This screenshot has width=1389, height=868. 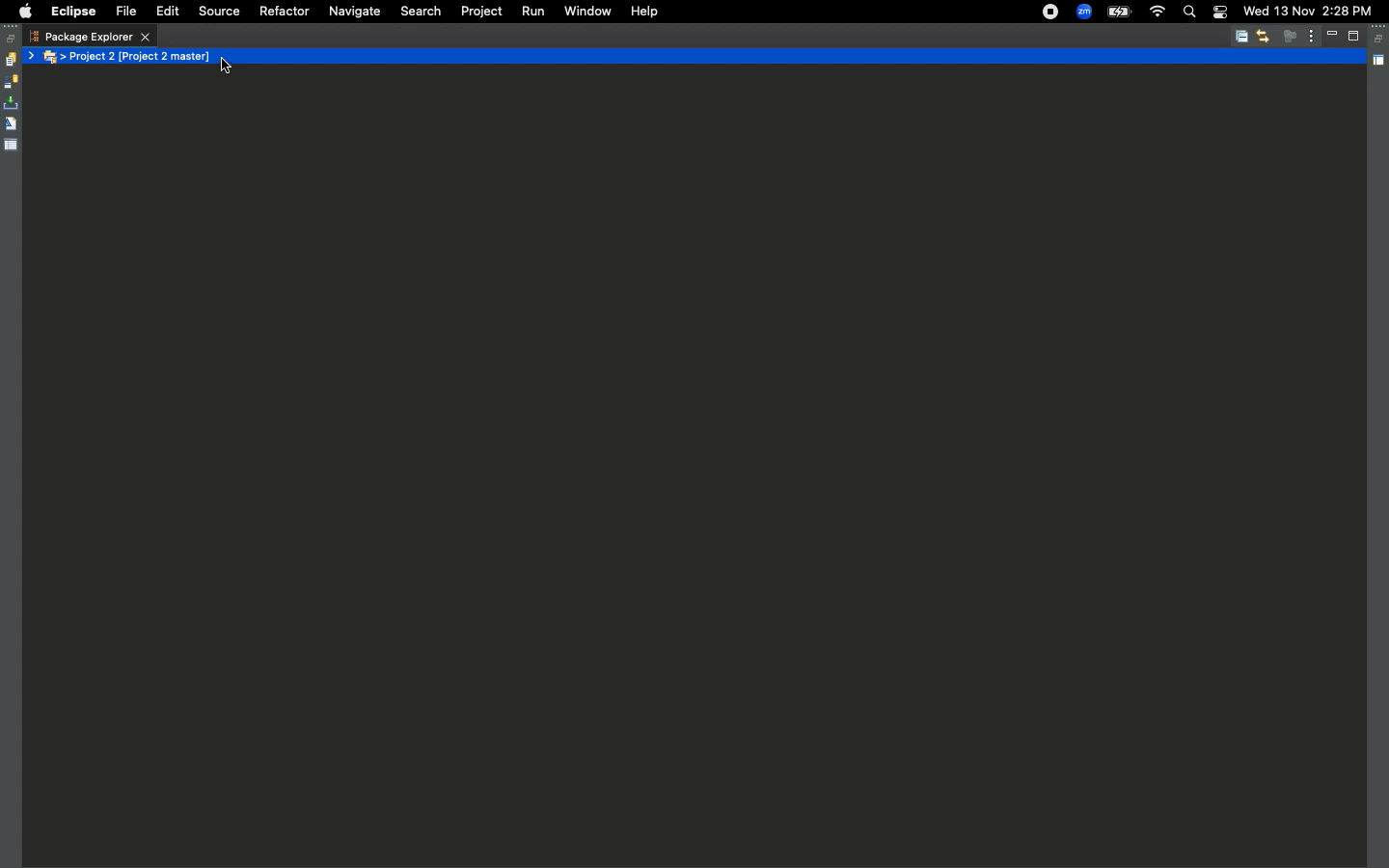 What do you see at coordinates (1118, 14) in the screenshot?
I see `Charge` at bounding box center [1118, 14].